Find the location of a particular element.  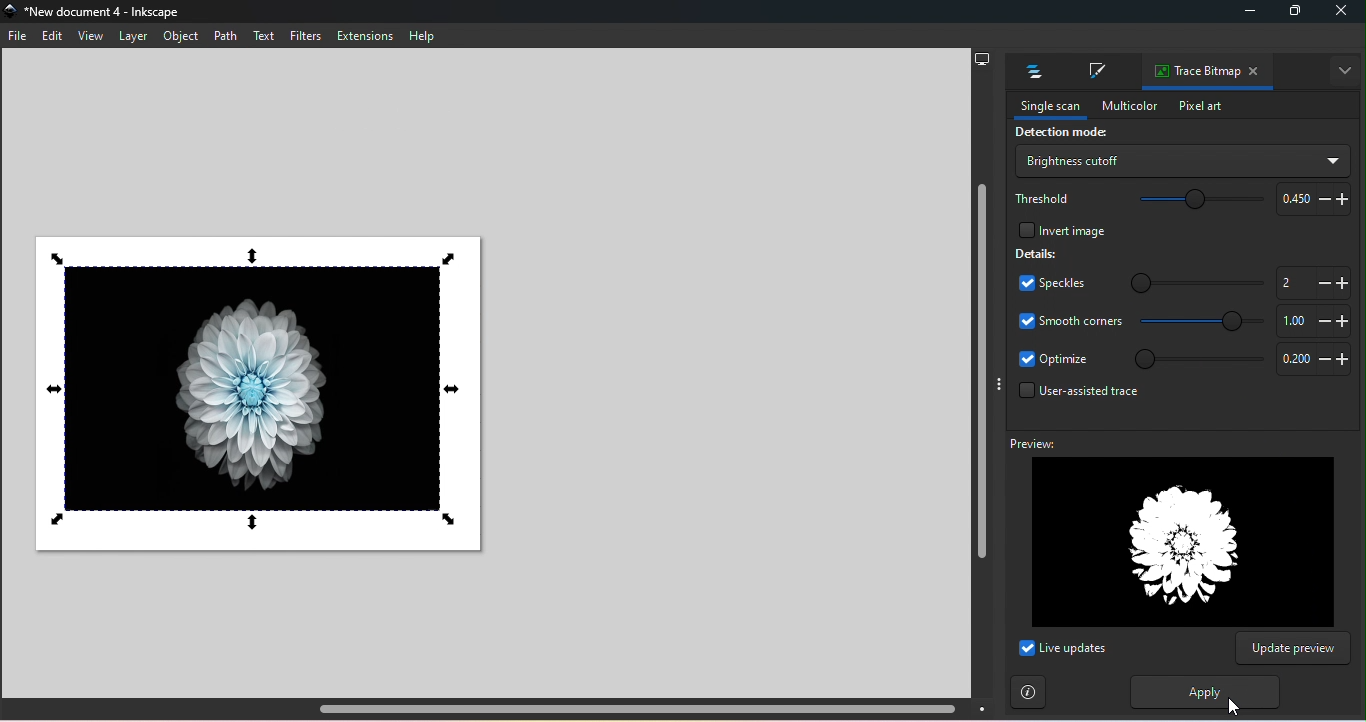

Maximize is located at coordinates (1292, 14).